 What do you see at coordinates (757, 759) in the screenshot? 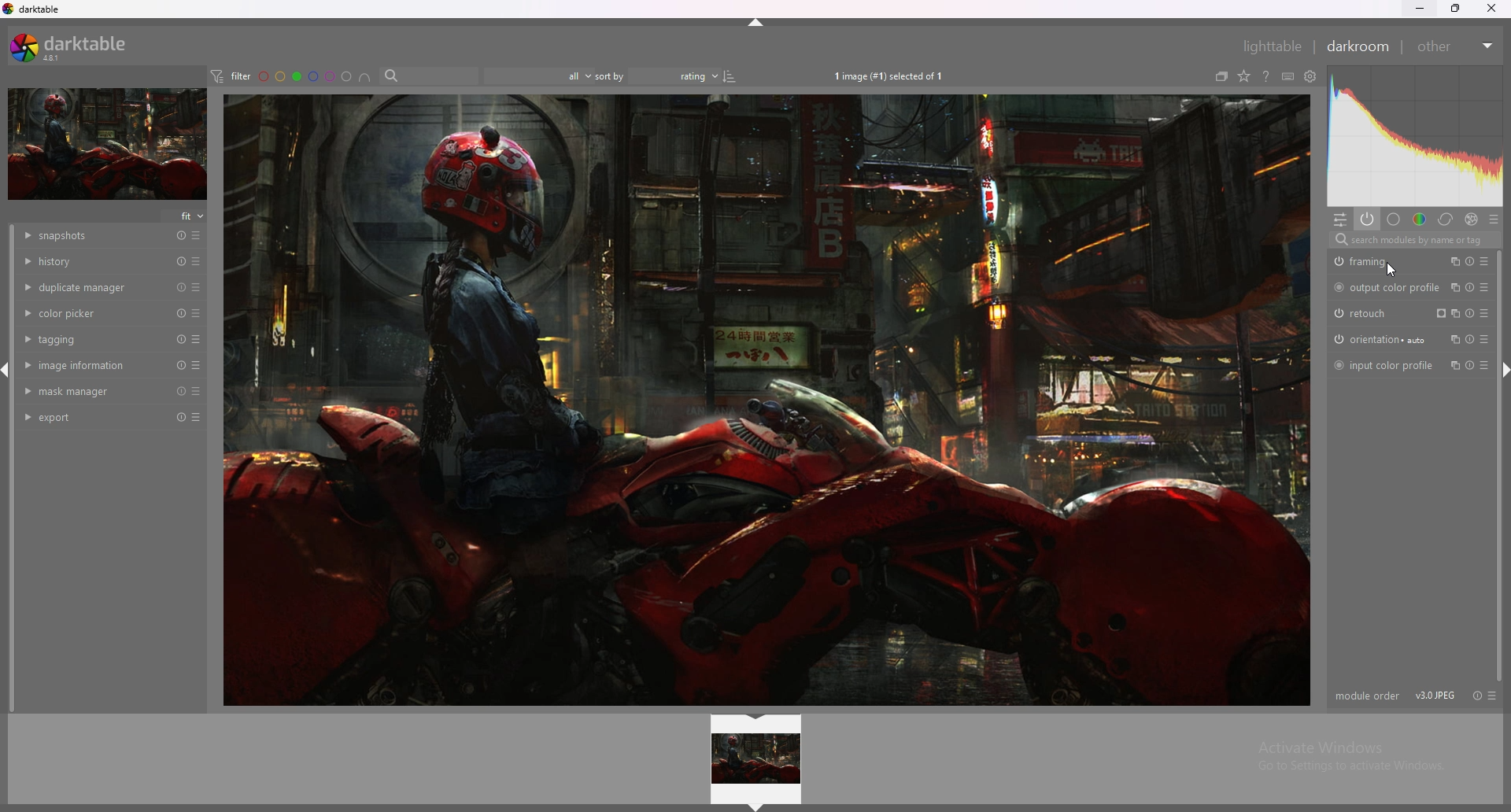
I see `image preview` at bounding box center [757, 759].